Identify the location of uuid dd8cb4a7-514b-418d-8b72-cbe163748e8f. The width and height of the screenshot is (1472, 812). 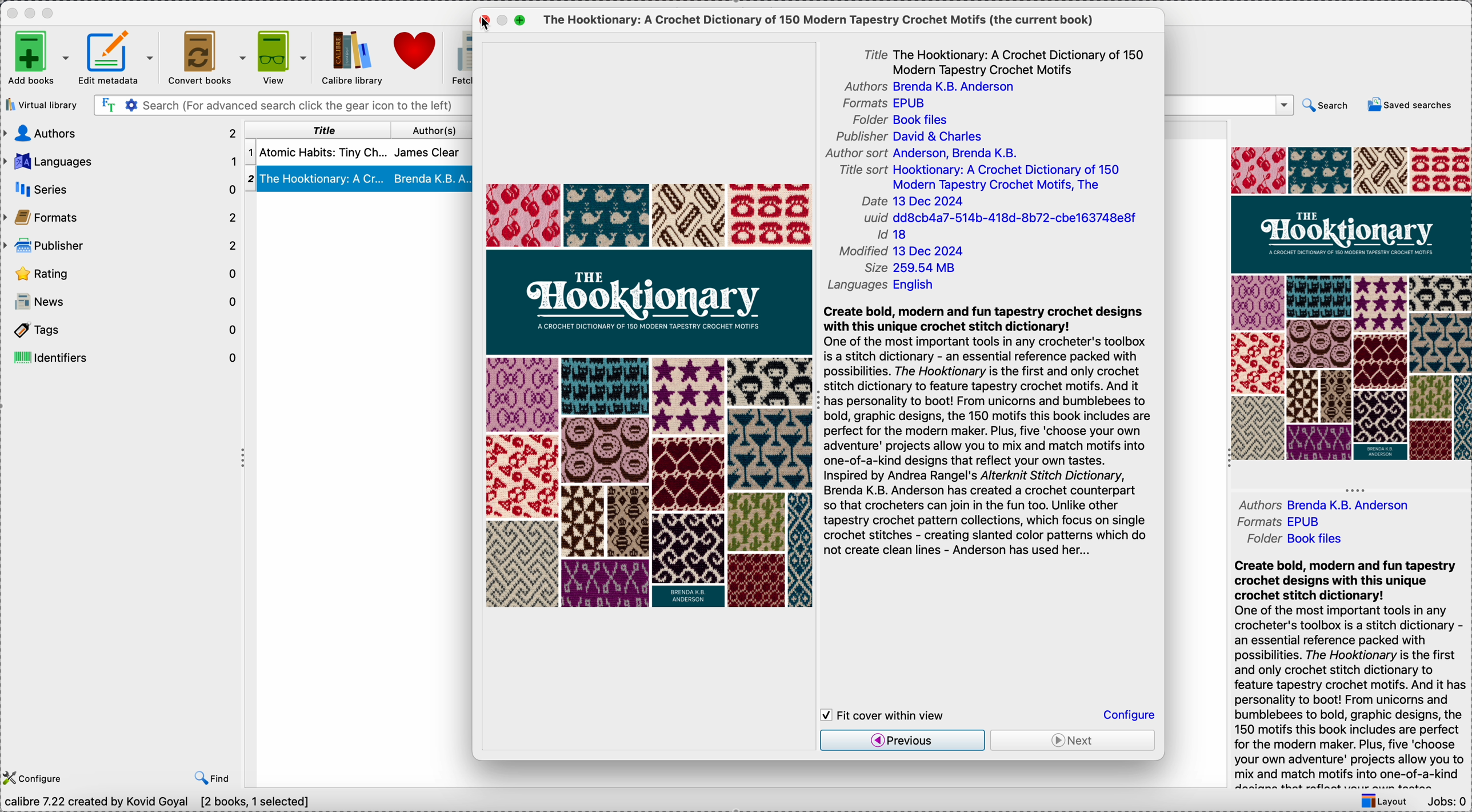
(999, 218).